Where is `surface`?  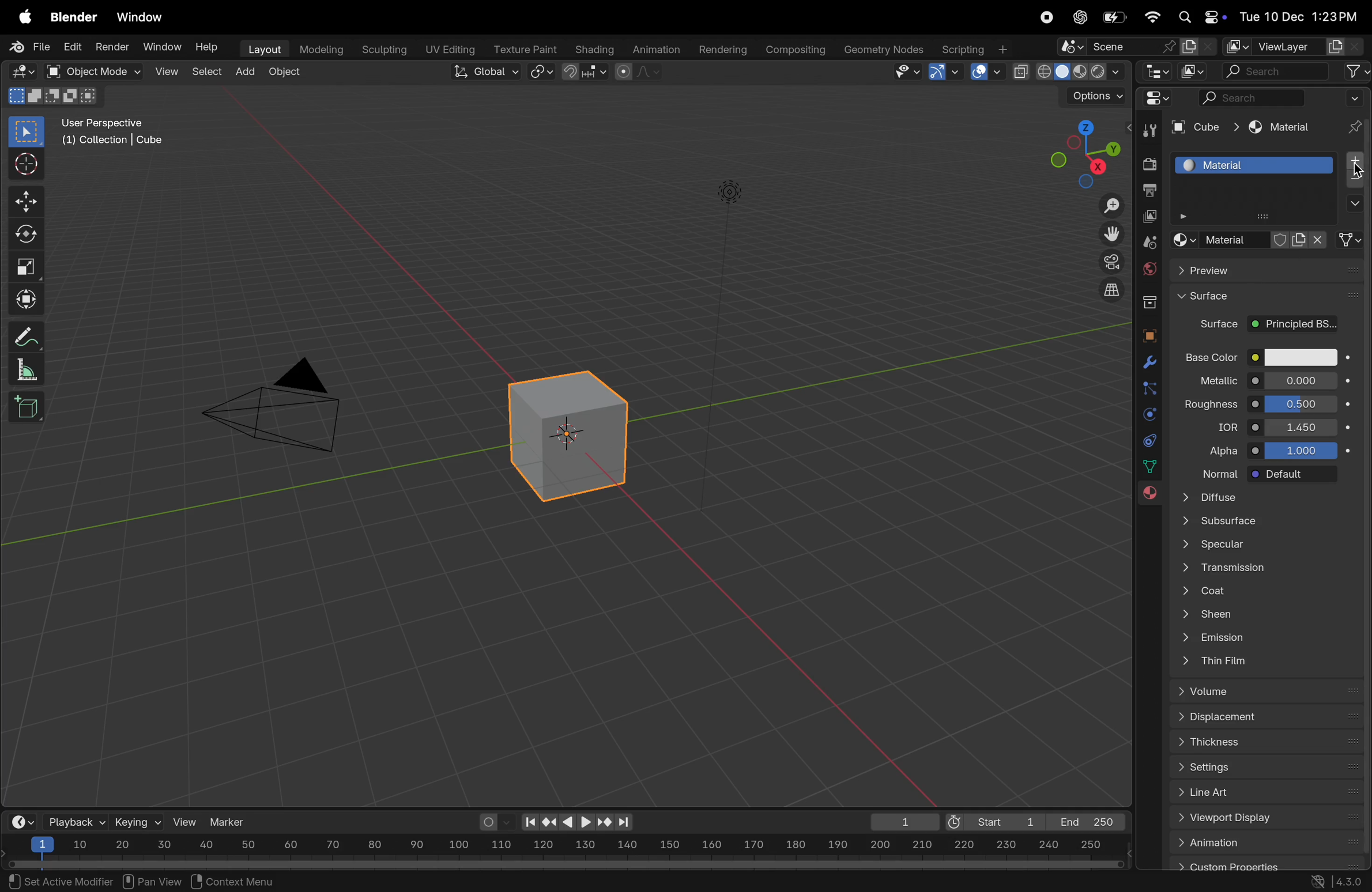
surface is located at coordinates (1267, 297).